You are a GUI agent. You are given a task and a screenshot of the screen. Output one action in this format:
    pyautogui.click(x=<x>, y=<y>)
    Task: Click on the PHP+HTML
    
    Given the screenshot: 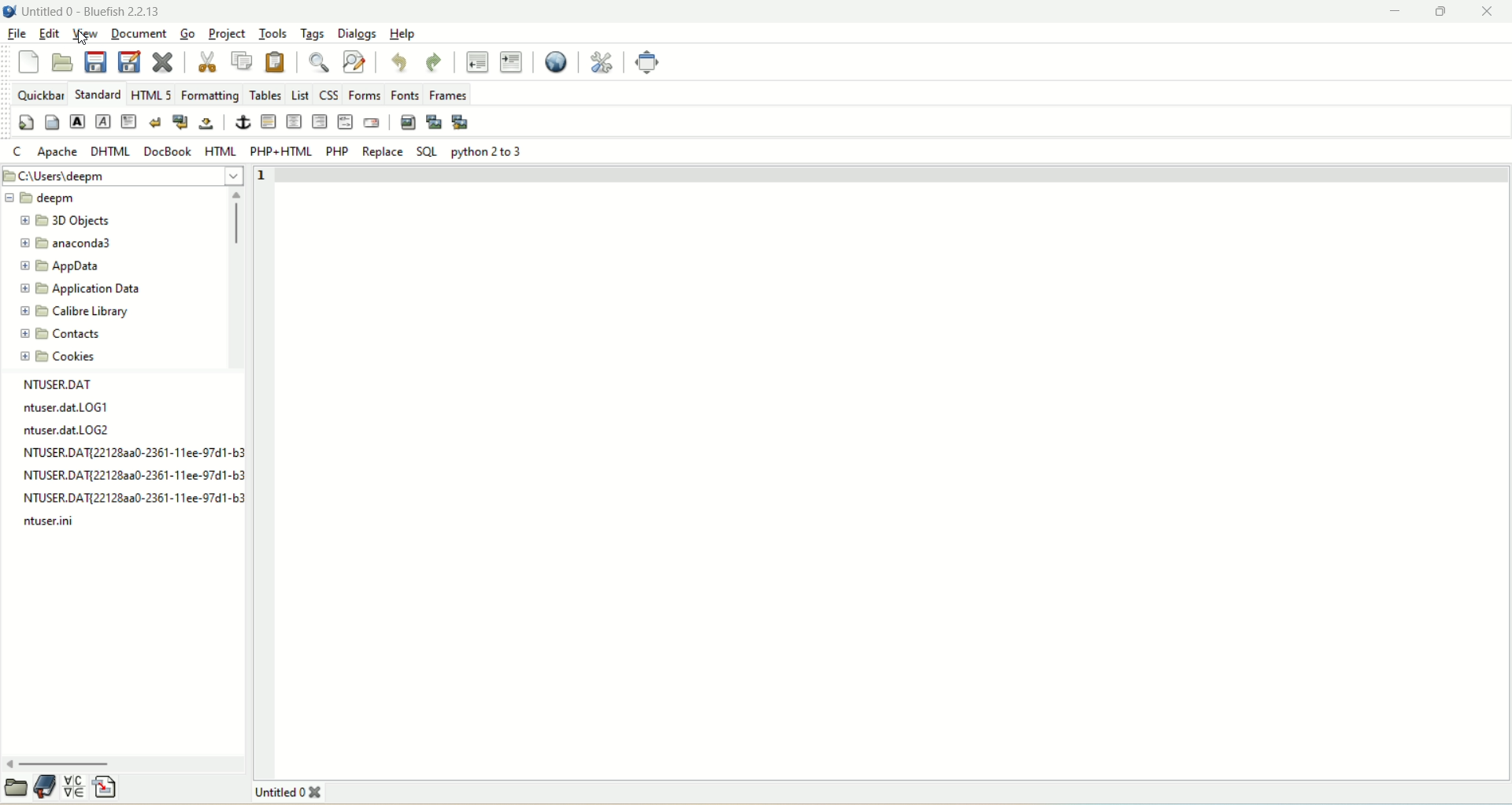 What is the action you would take?
    pyautogui.click(x=280, y=151)
    